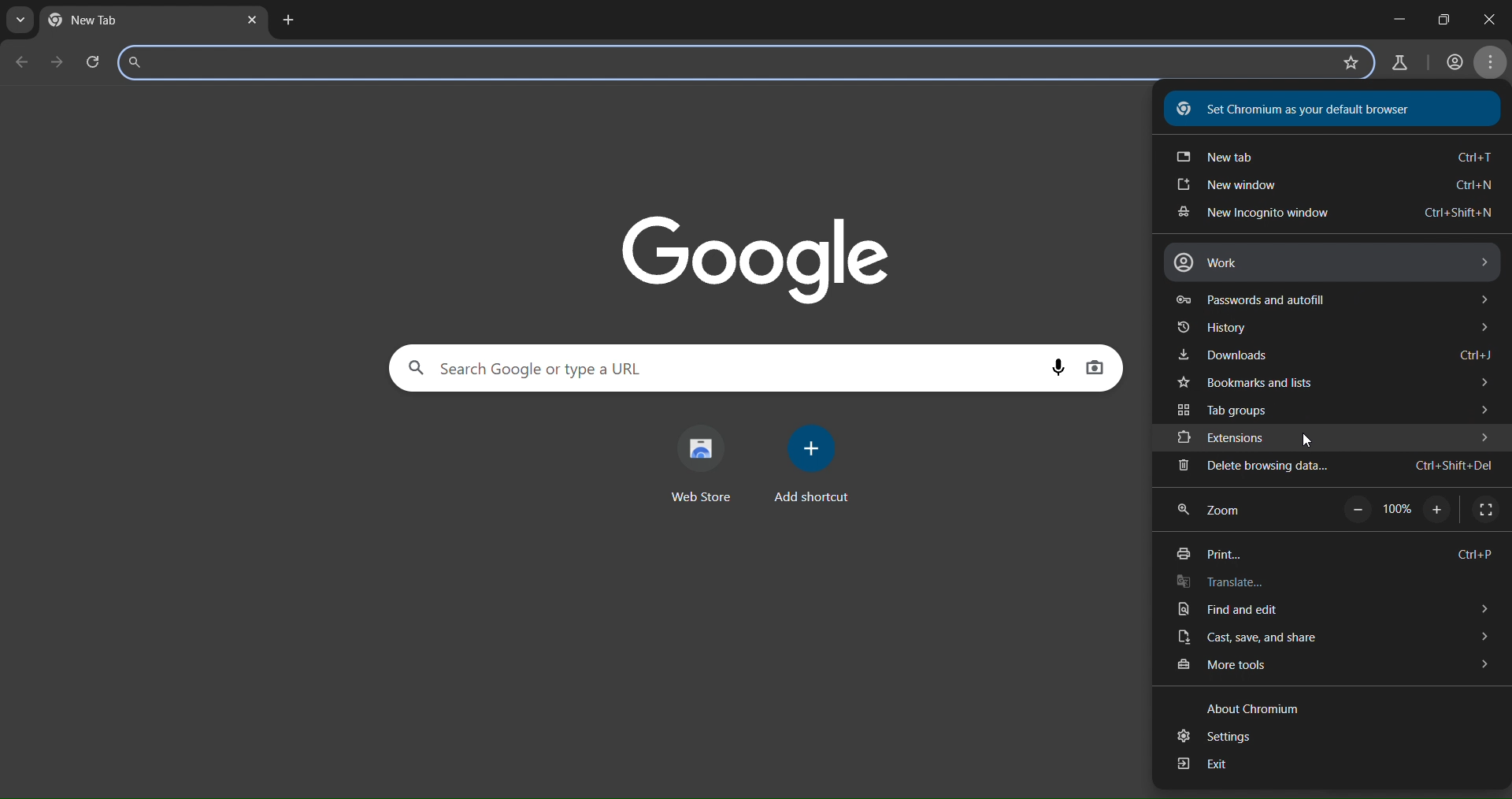 Image resolution: width=1512 pixels, height=799 pixels. What do you see at coordinates (1301, 110) in the screenshot?
I see `Set Chromium as your default browser` at bounding box center [1301, 110].